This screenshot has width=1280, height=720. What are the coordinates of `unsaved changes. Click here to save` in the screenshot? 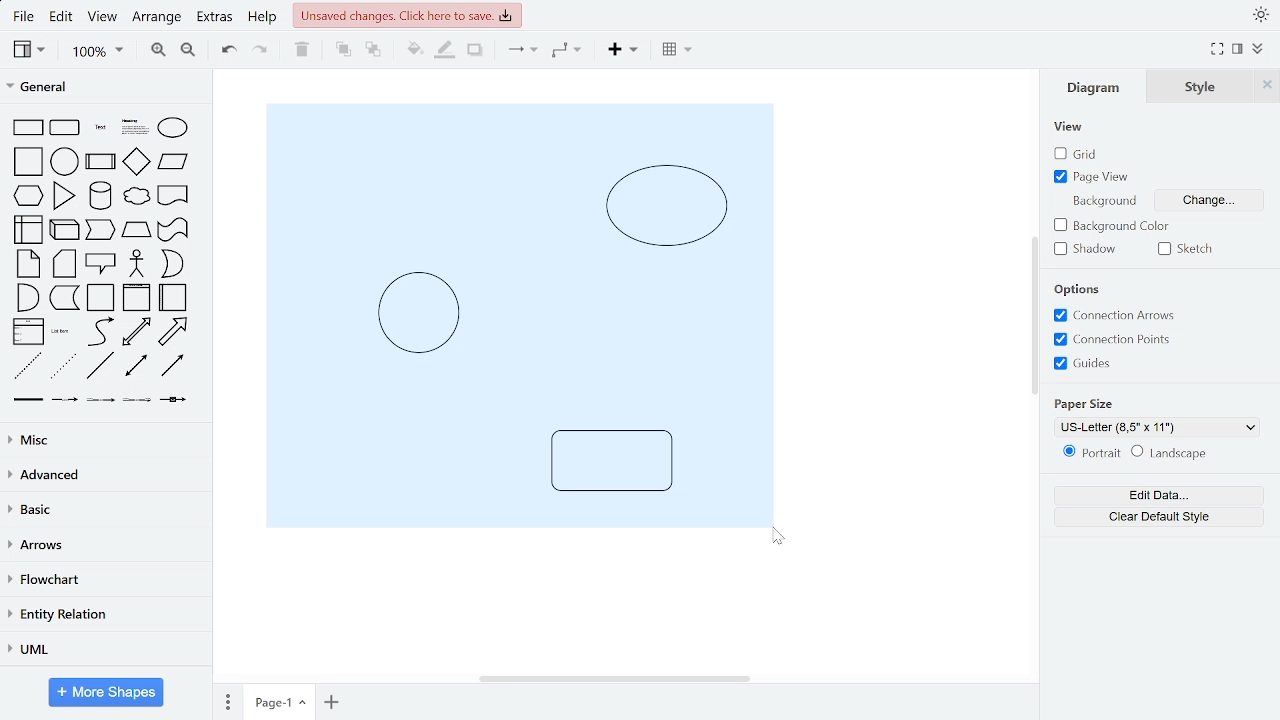 It's located at (407, 15).